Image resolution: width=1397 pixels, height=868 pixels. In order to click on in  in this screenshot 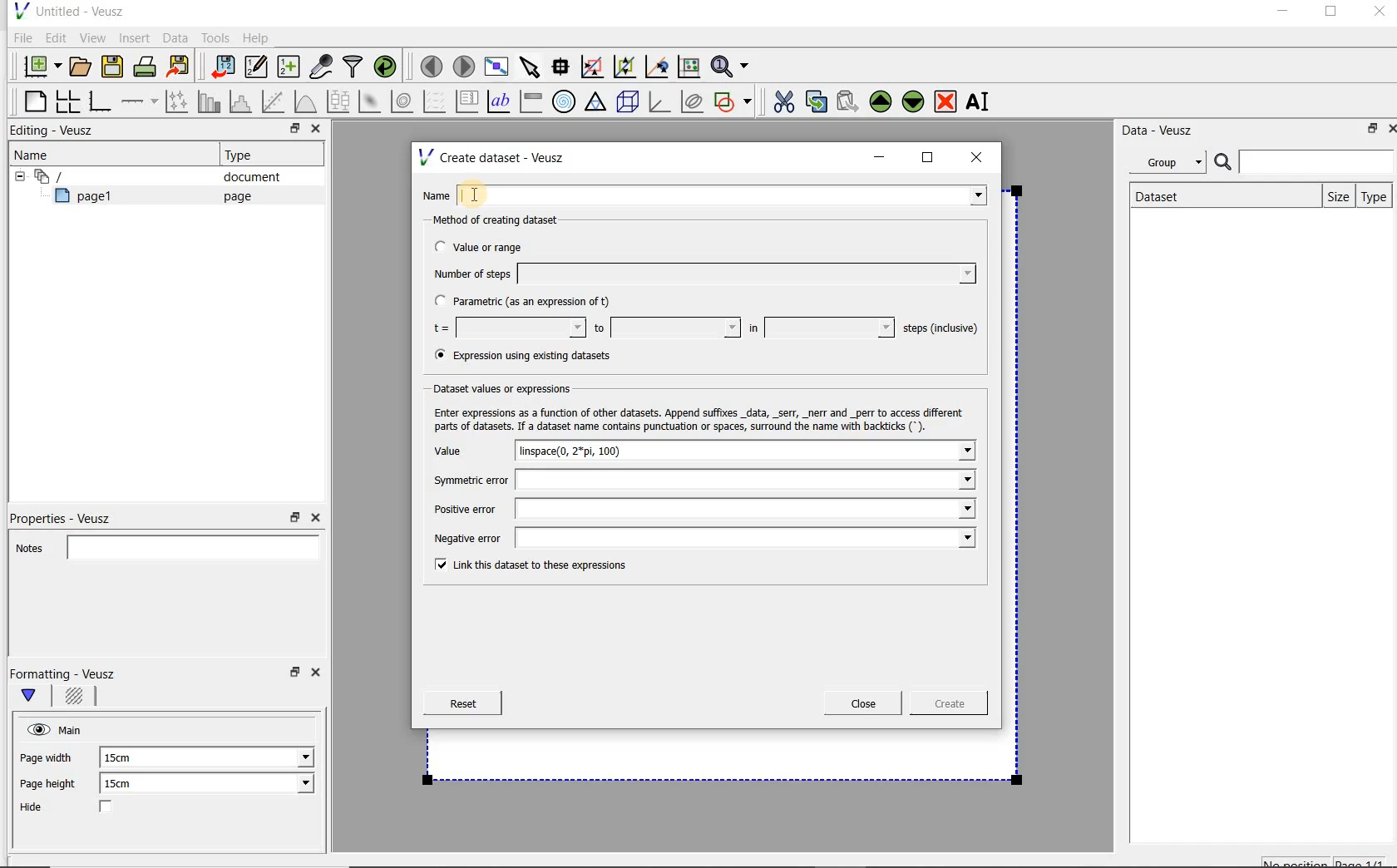, I will do `click(819, 328)`.